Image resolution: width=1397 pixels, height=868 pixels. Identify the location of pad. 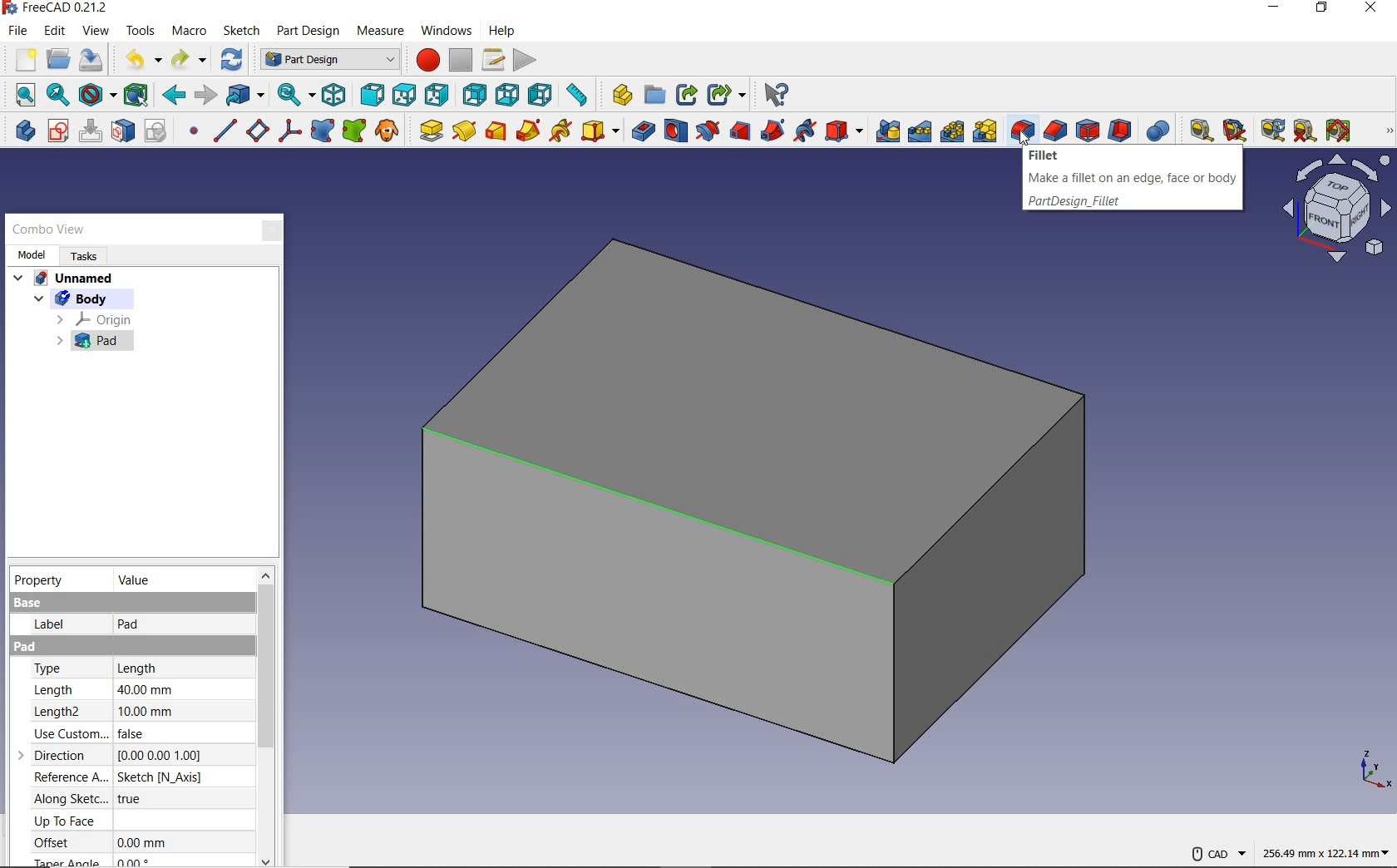
(83, 344).